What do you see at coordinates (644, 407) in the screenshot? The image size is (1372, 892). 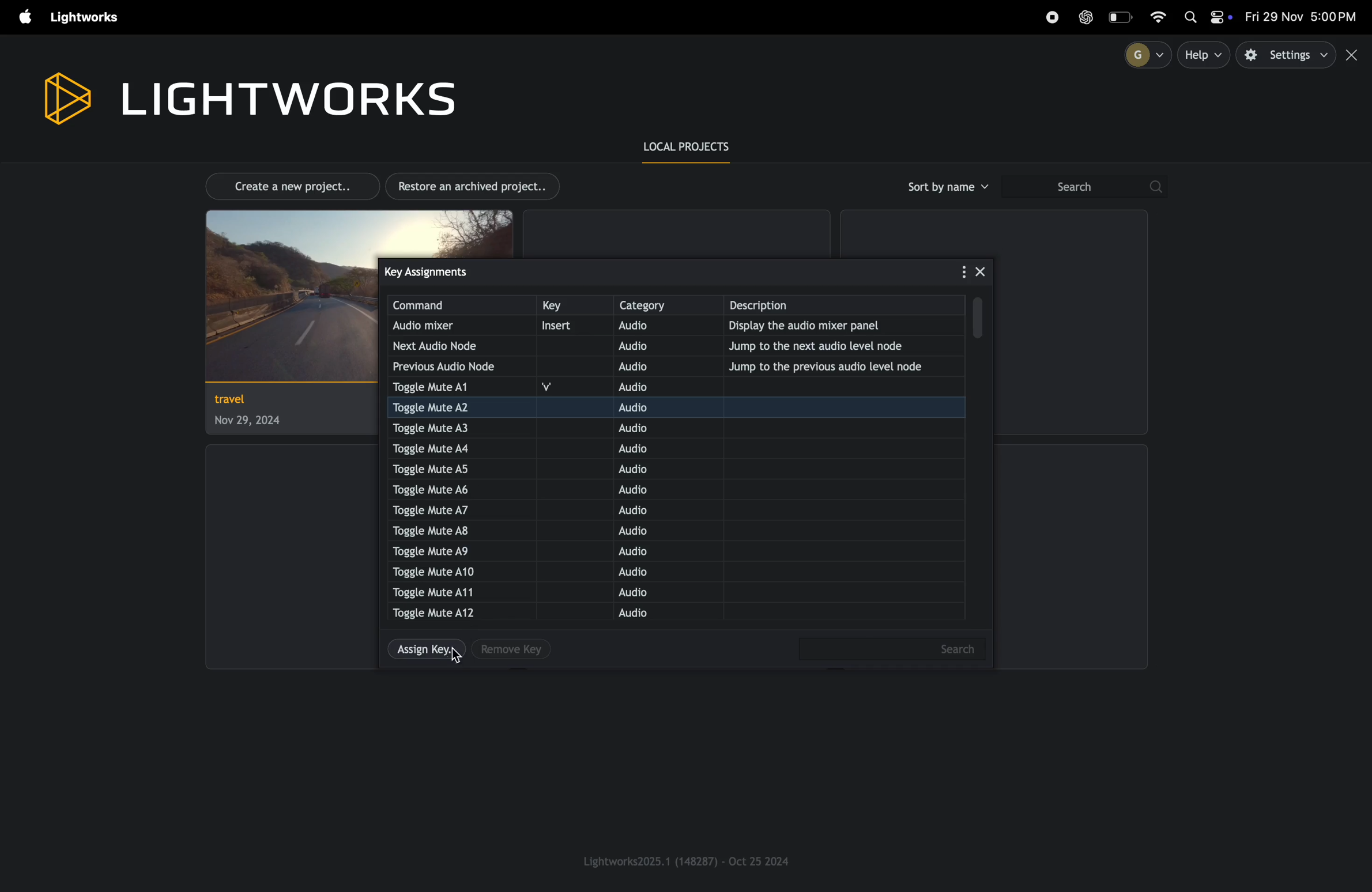 I see `audio` at bounding box center [644, 407].